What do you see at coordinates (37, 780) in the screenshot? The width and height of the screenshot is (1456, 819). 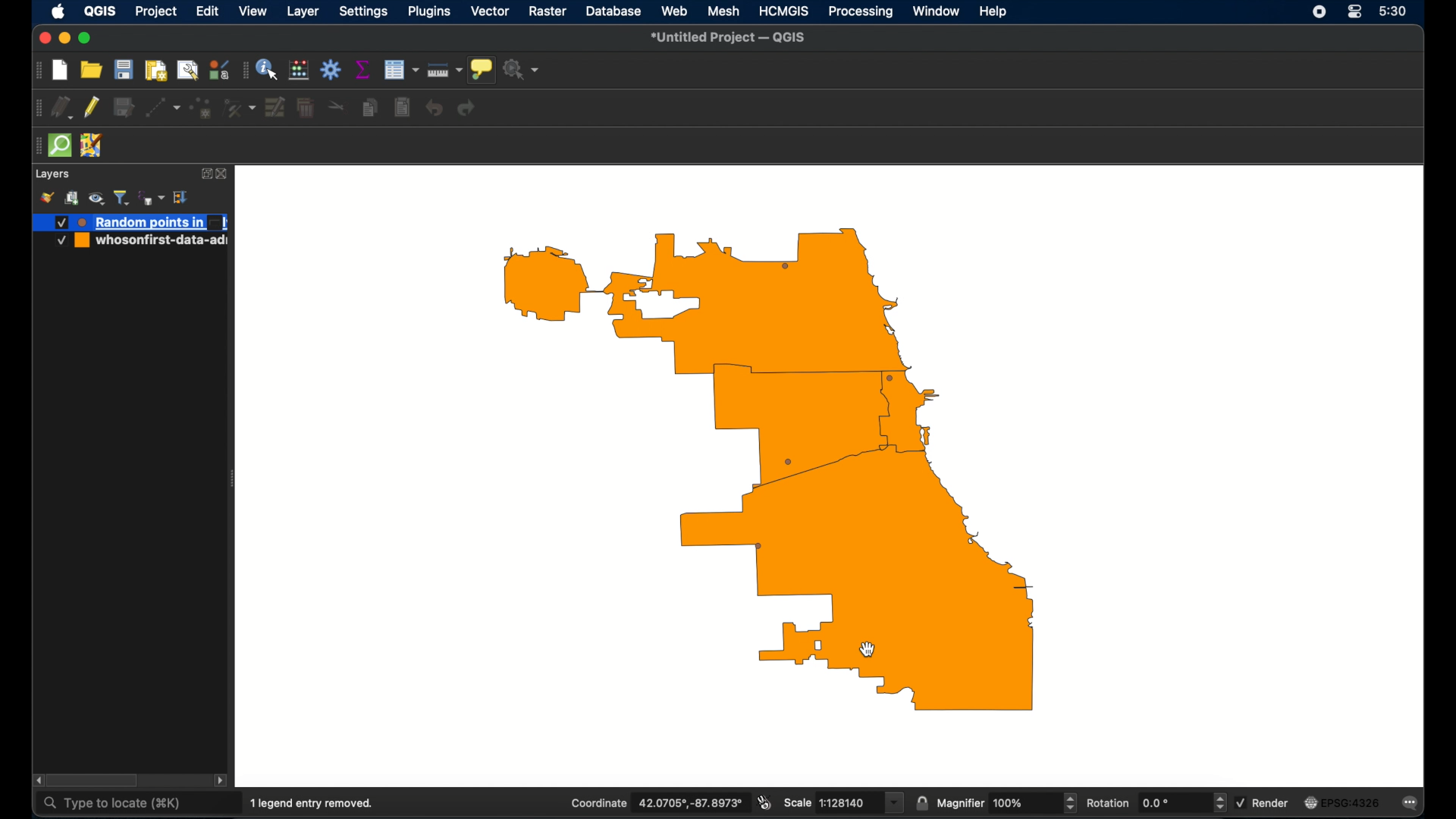 I see `scroll left arrow` at bounding box center [37, 780].